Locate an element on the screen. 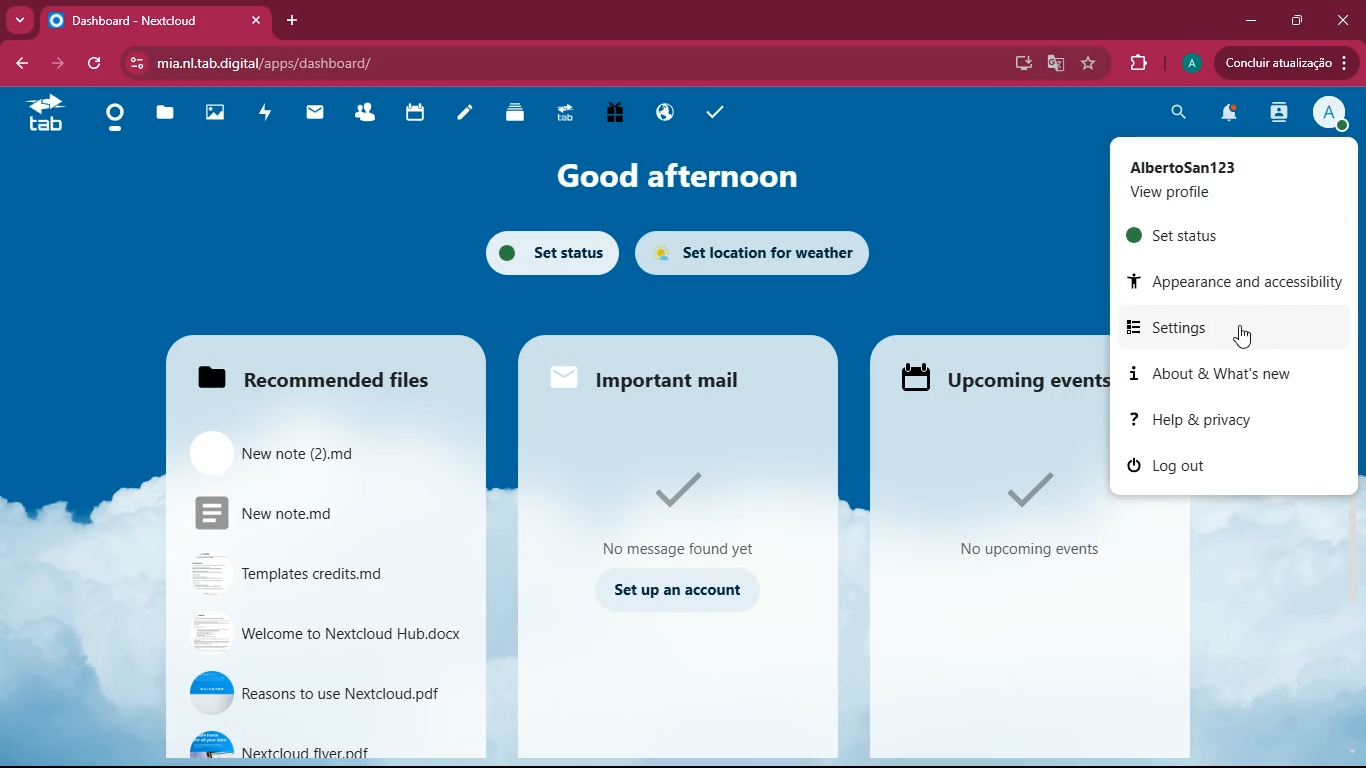 Image resolution: width=1366 pixels, height=768 pixels. events is located at coordinates (1019, 519).